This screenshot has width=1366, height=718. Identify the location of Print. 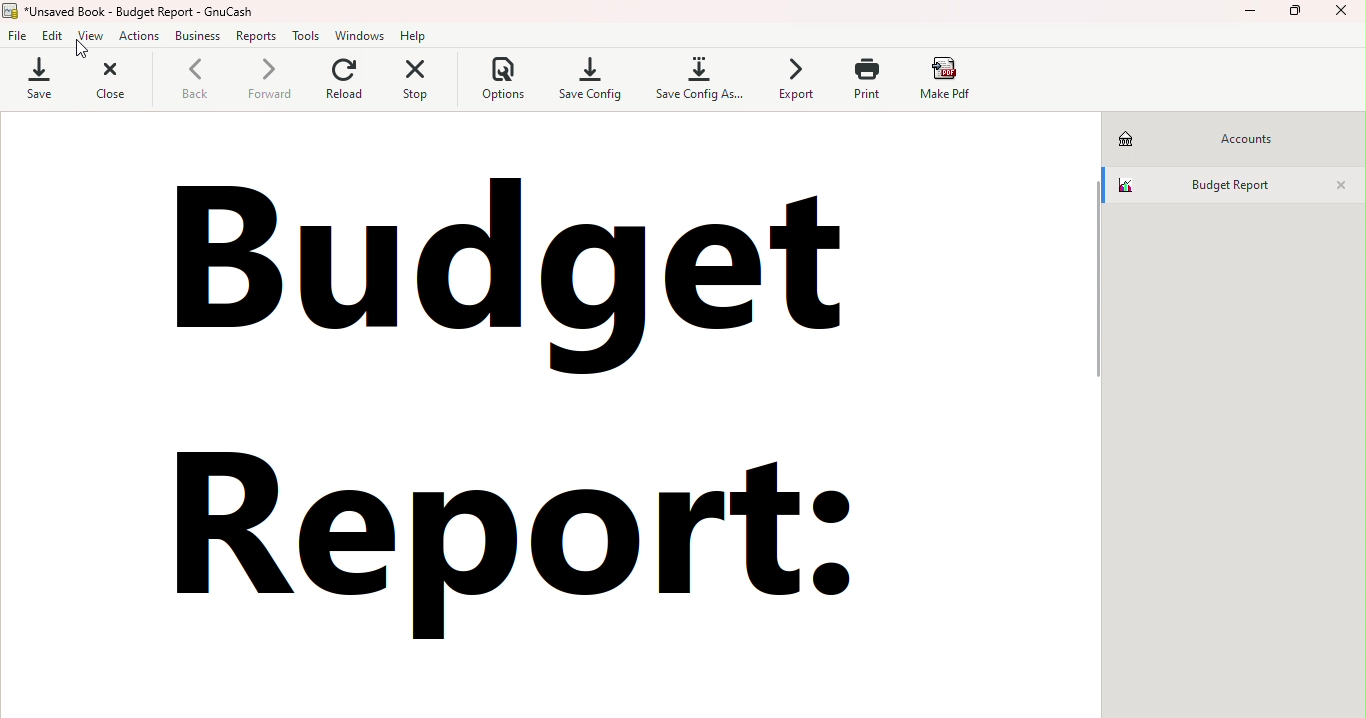
(862, 82).